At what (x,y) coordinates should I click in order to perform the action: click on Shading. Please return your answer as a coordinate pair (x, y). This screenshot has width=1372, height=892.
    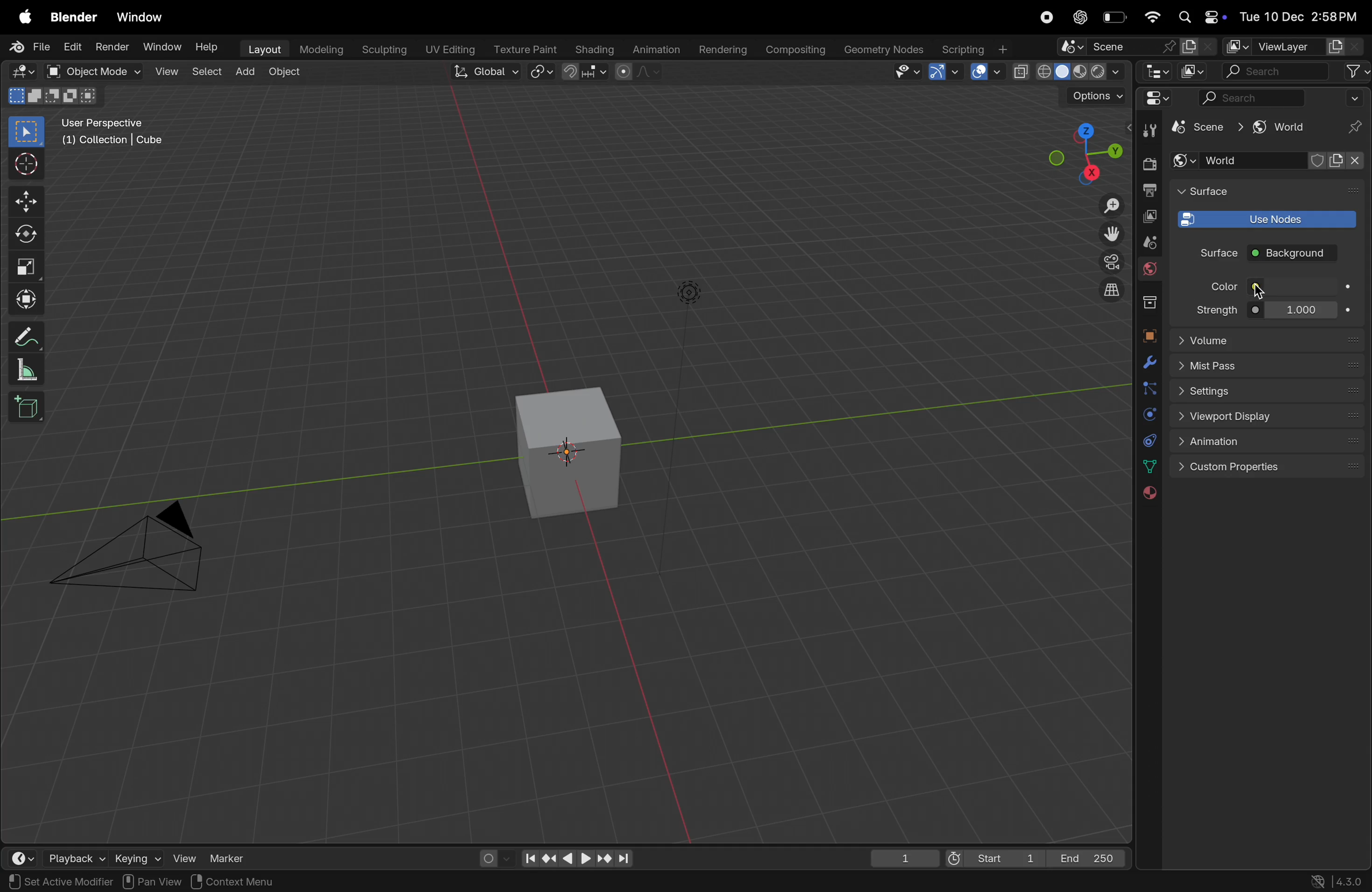
    Looking at the image, I should click on (593, 49).